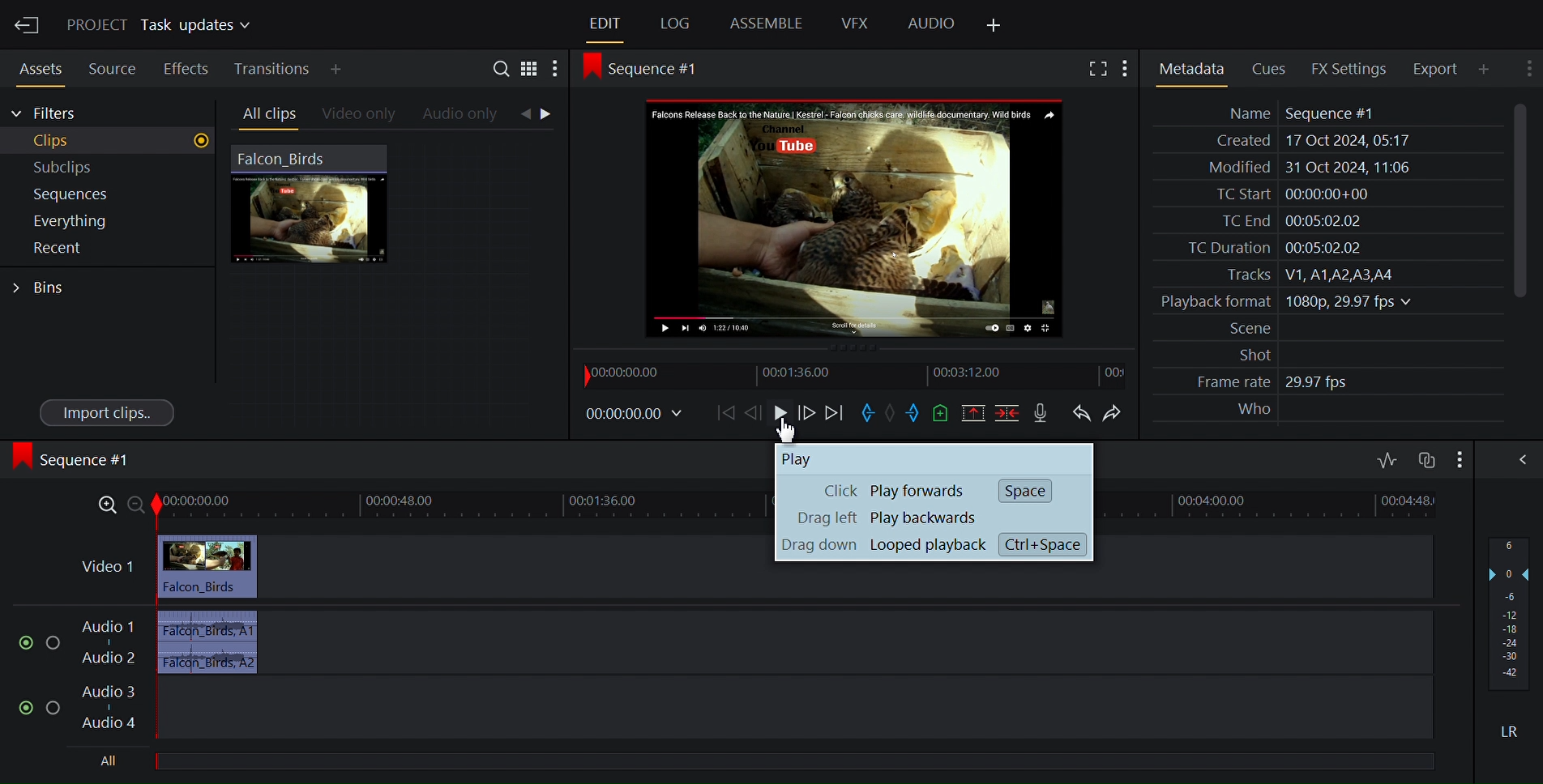 The width and height of the screenshot is (1543, 784). Describe the element at coordinates (942, 413) in the screenshot. I see `Add cue` at that location.